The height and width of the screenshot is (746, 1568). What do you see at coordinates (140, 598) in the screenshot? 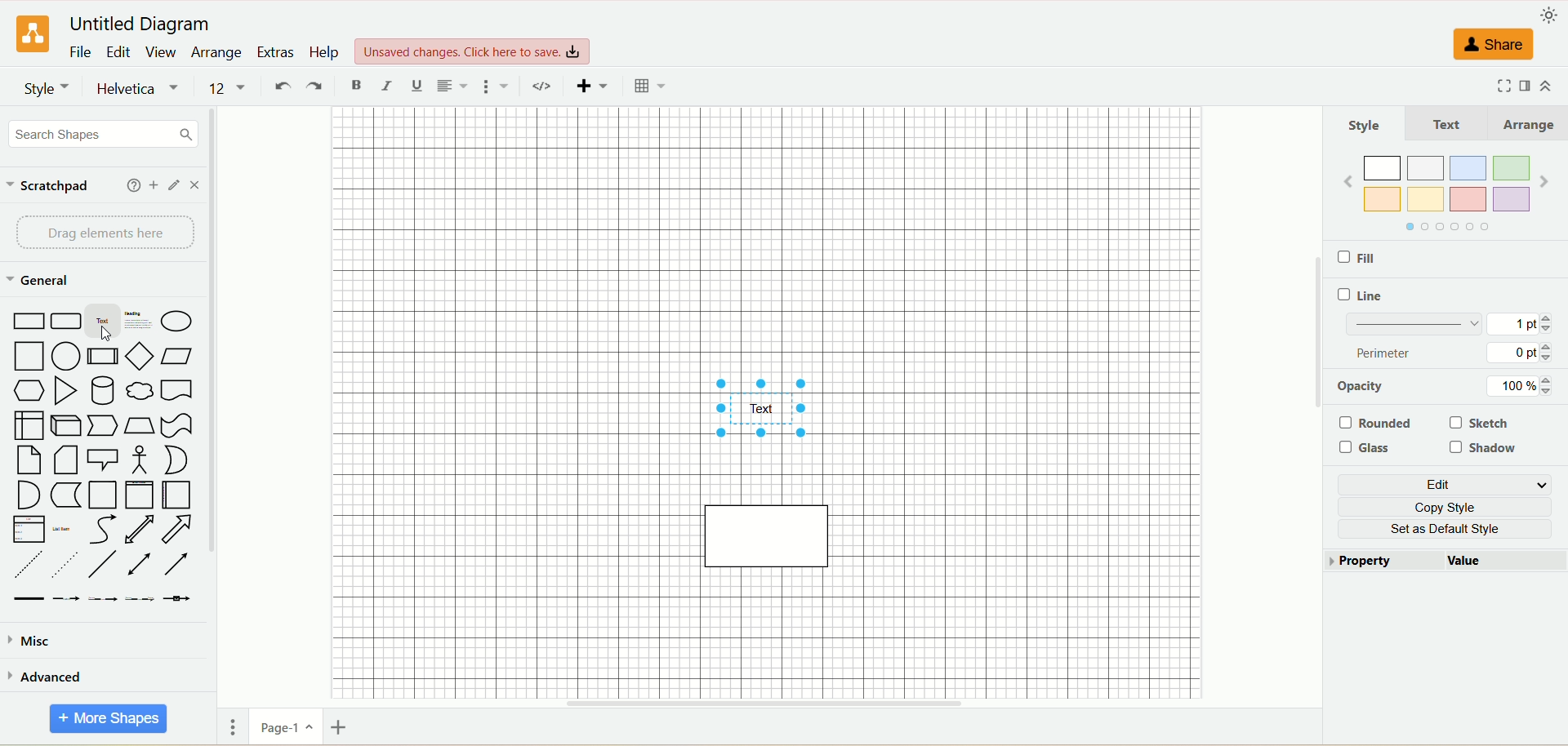
I see `connector 4` at bounding box center [140, 598].